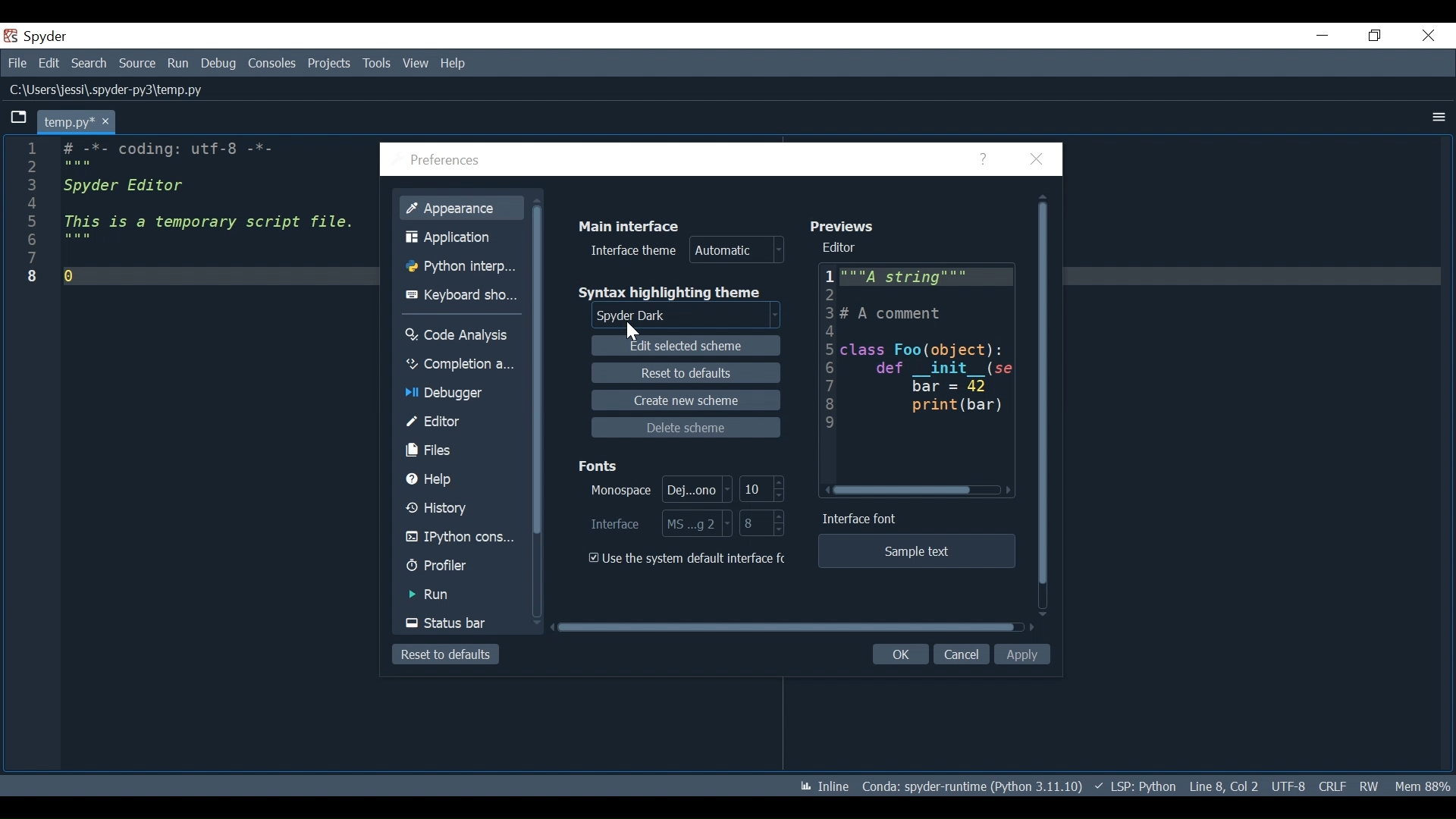  I want to click on Current tab, so click(75, 121).